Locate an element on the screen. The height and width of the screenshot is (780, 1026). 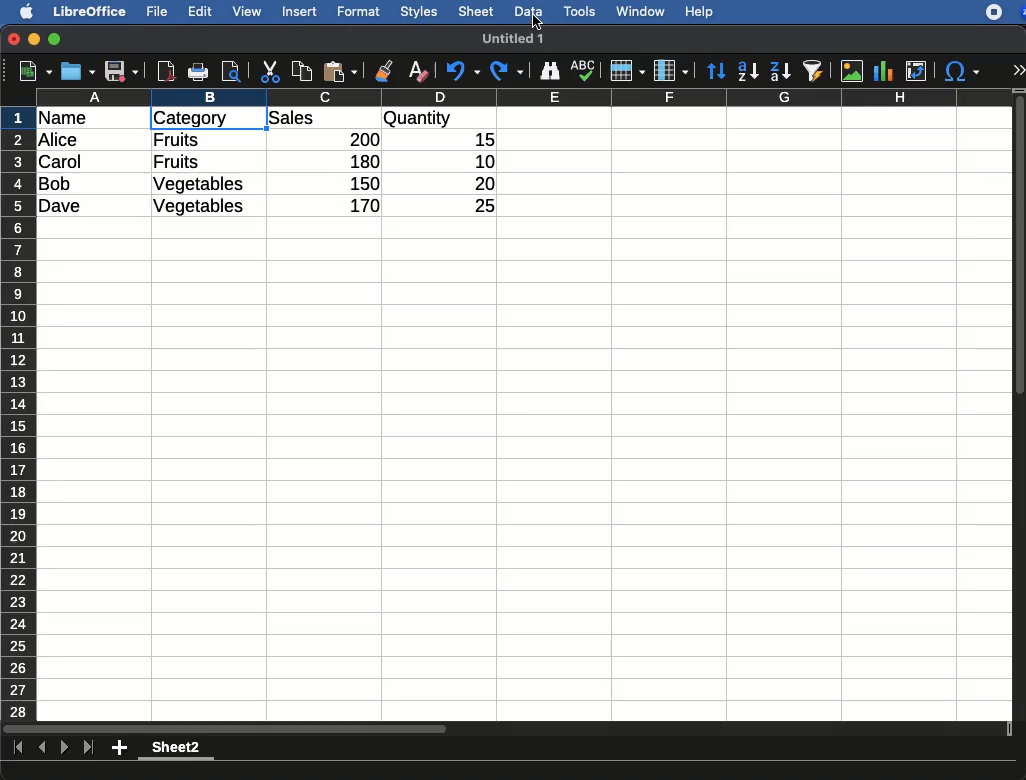
data is located at coordinates (528, 9).